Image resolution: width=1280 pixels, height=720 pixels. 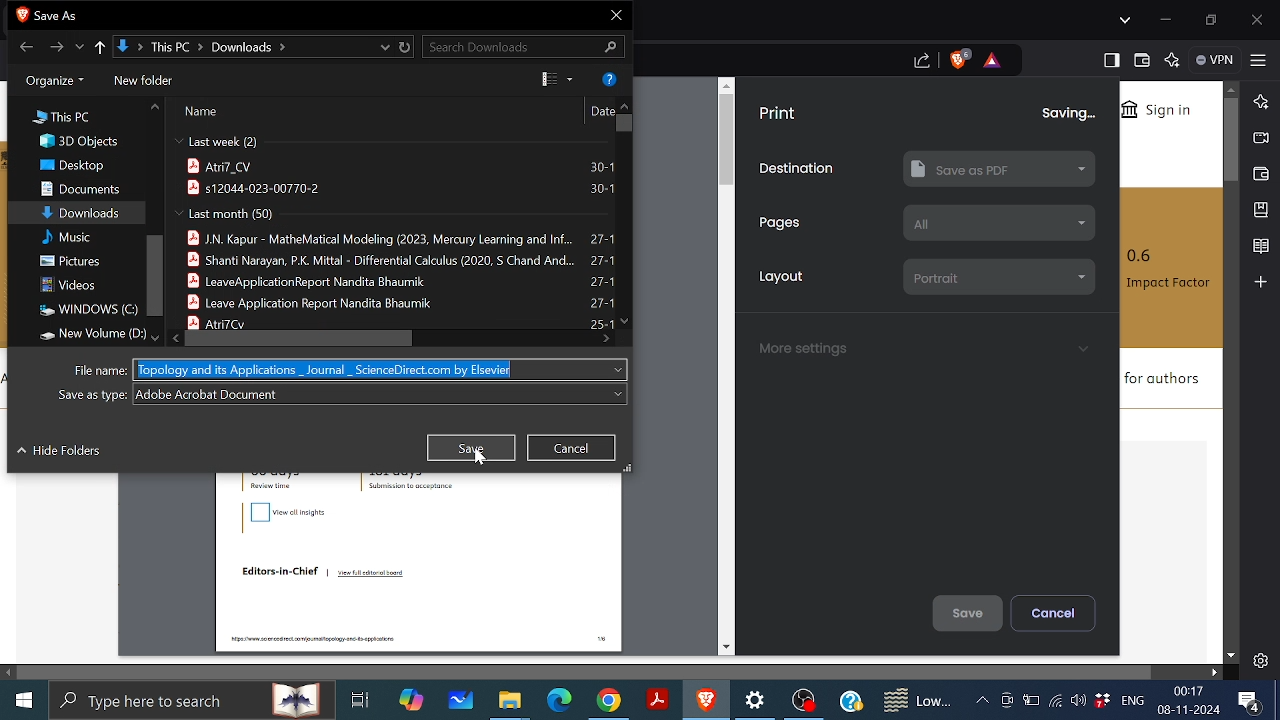 I want to click on vertical scrollbar, so click(x=726, y=138).